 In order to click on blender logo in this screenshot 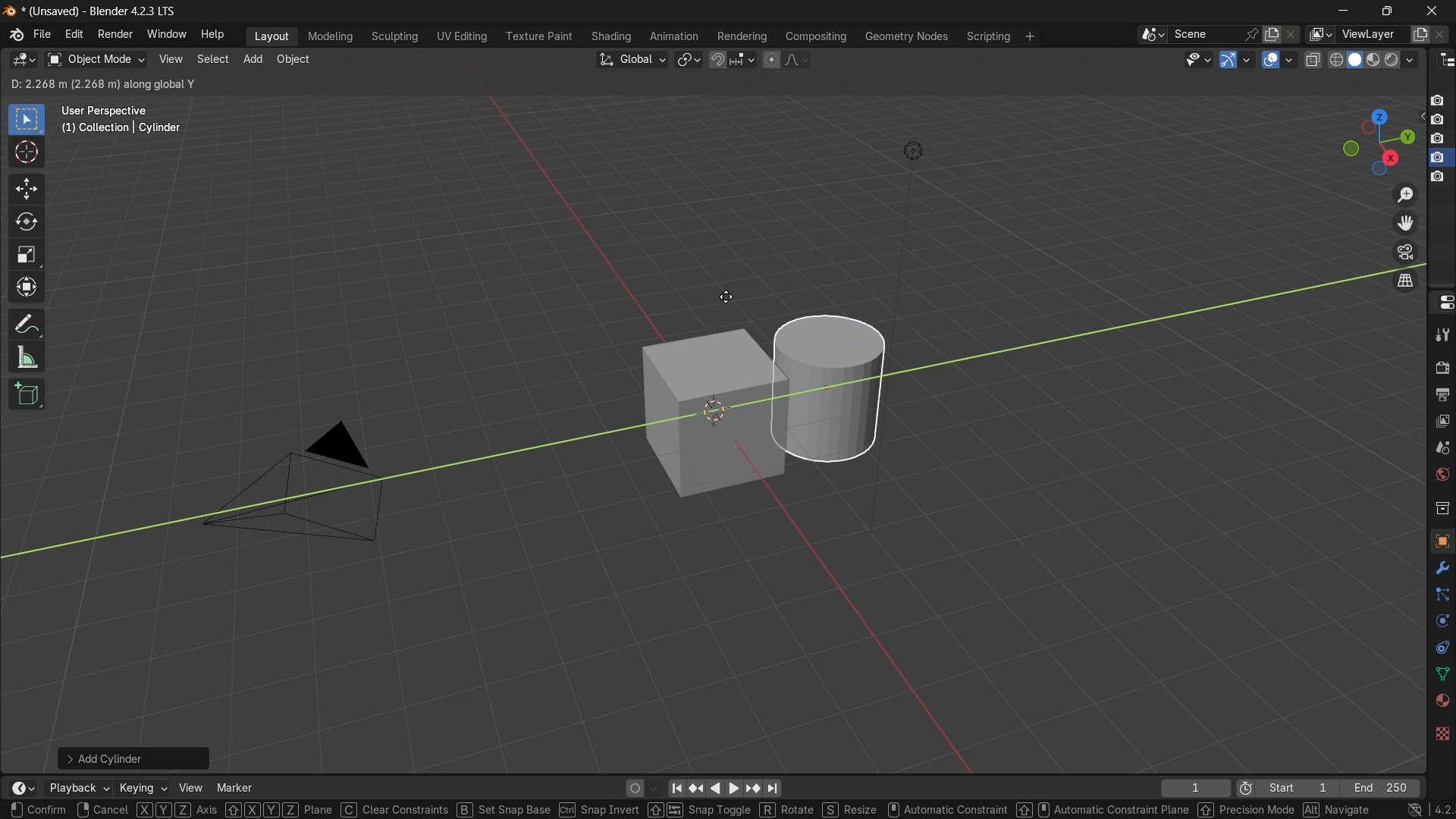, I will do `click(11, 11)`.